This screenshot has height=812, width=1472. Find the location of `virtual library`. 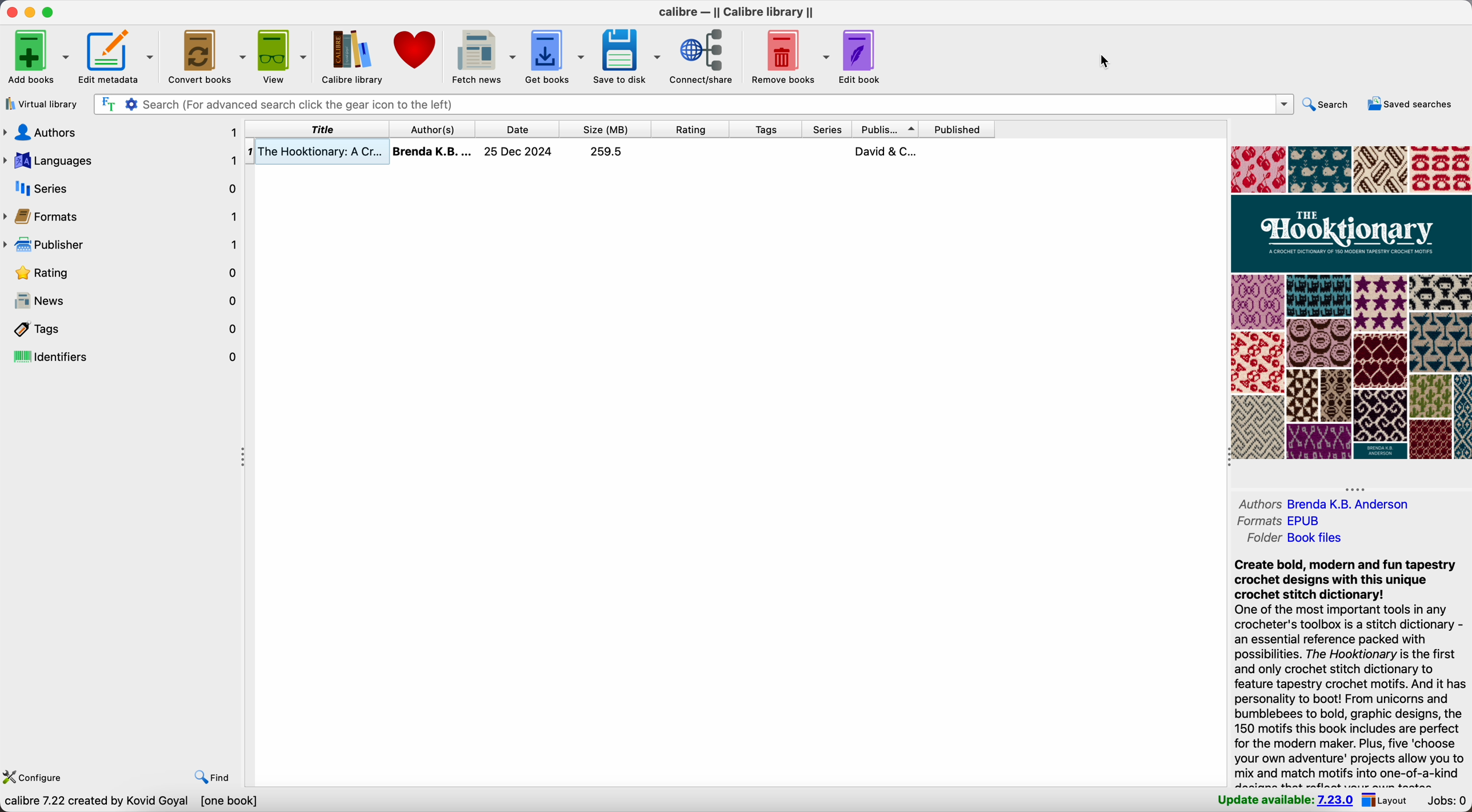

virtual library is located at coordinates (42, 105).